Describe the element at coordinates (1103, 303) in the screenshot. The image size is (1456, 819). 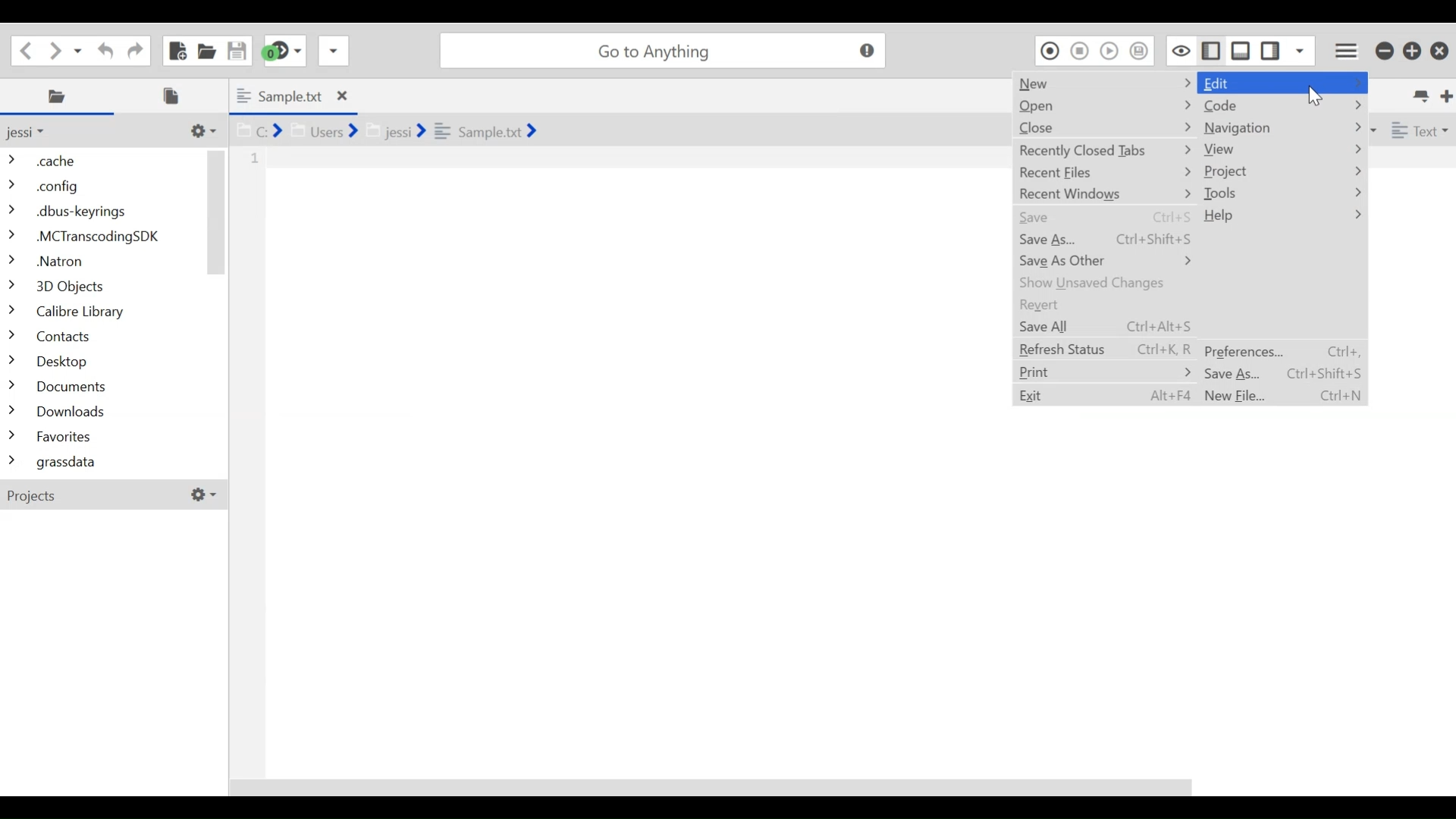
I see `Recent` at that location.